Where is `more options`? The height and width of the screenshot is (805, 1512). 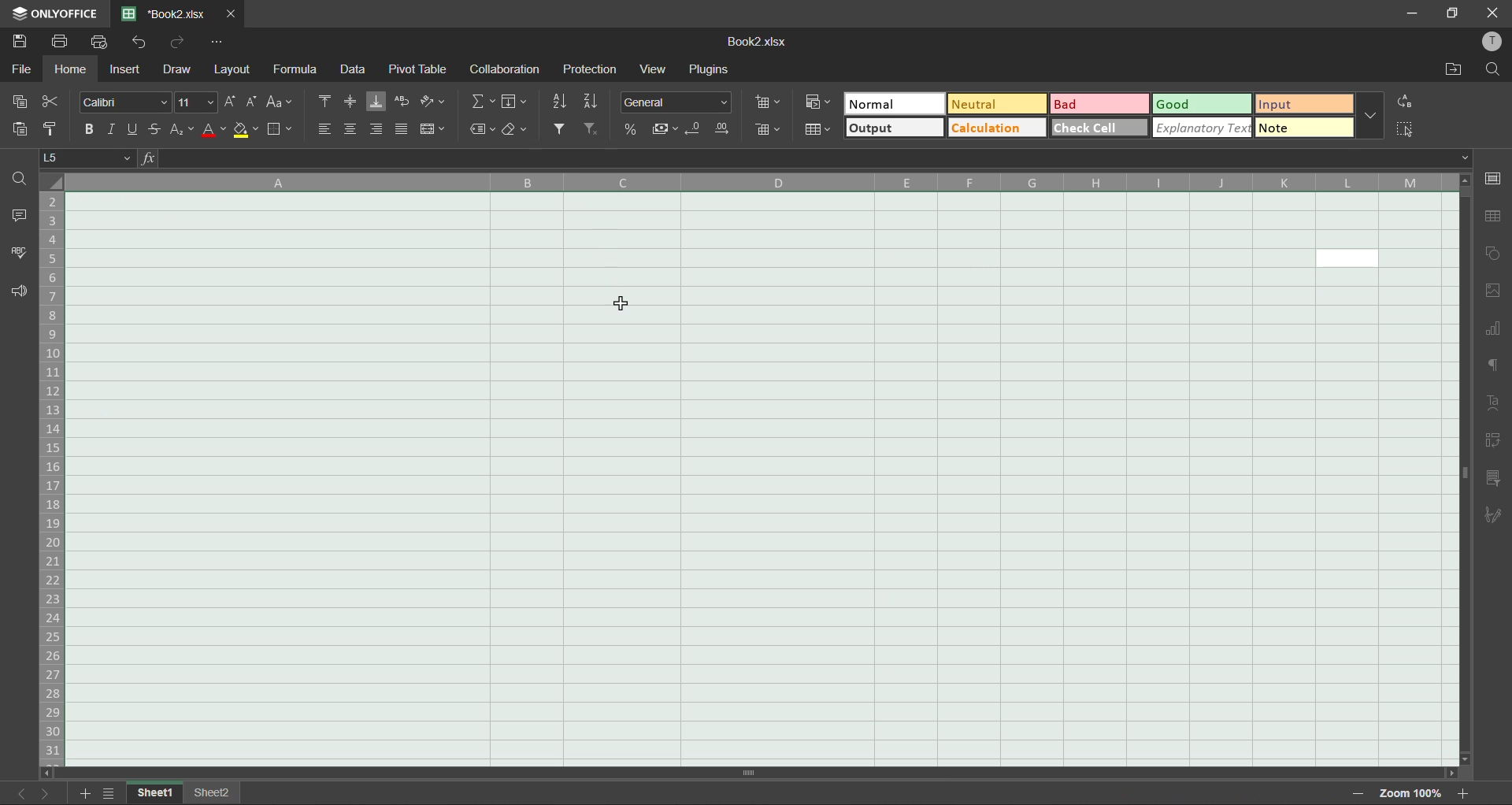 more options is located at coordinates (1371, 116).